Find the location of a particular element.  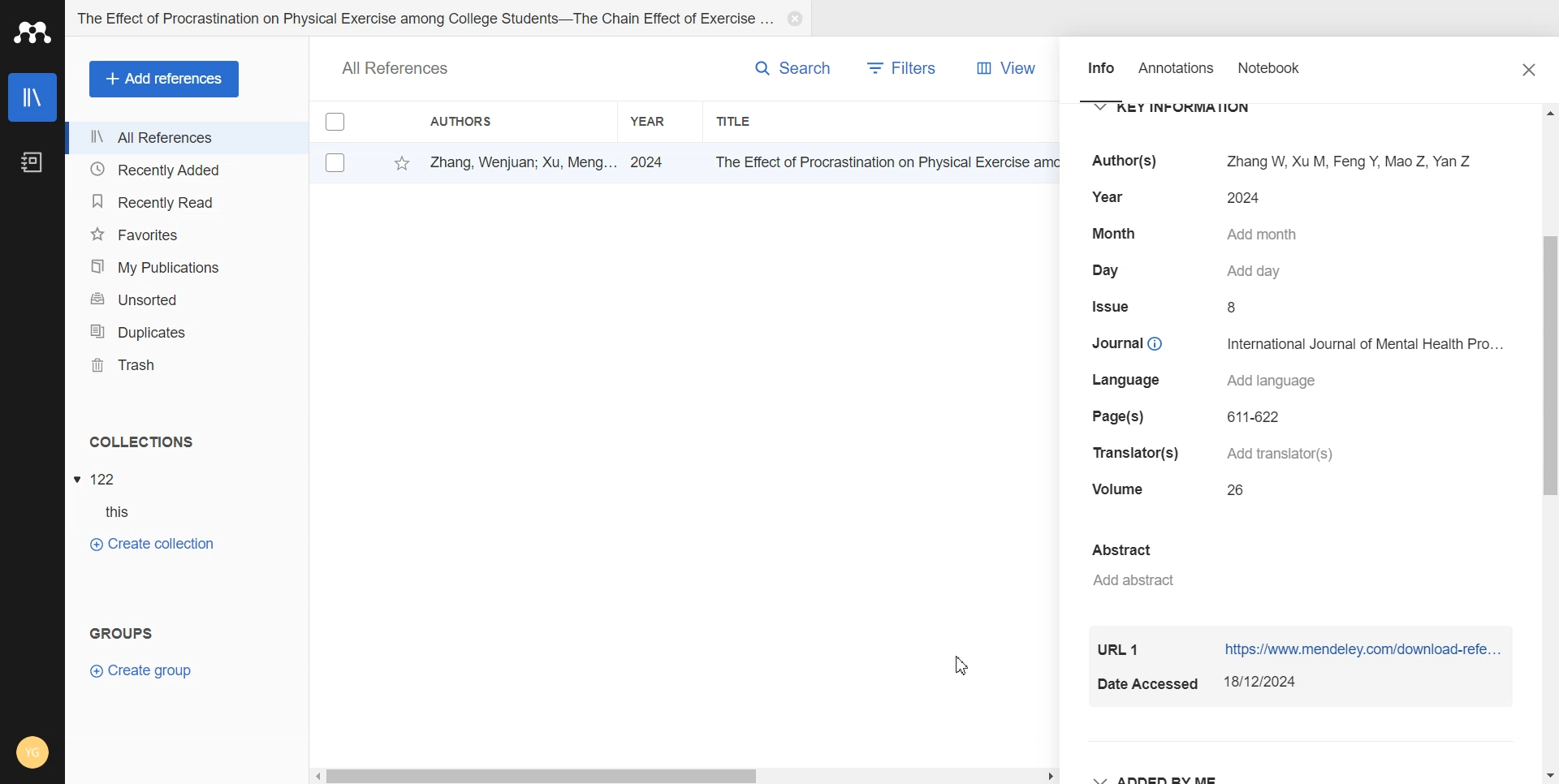

Logo is located at coordinates (34, 33).